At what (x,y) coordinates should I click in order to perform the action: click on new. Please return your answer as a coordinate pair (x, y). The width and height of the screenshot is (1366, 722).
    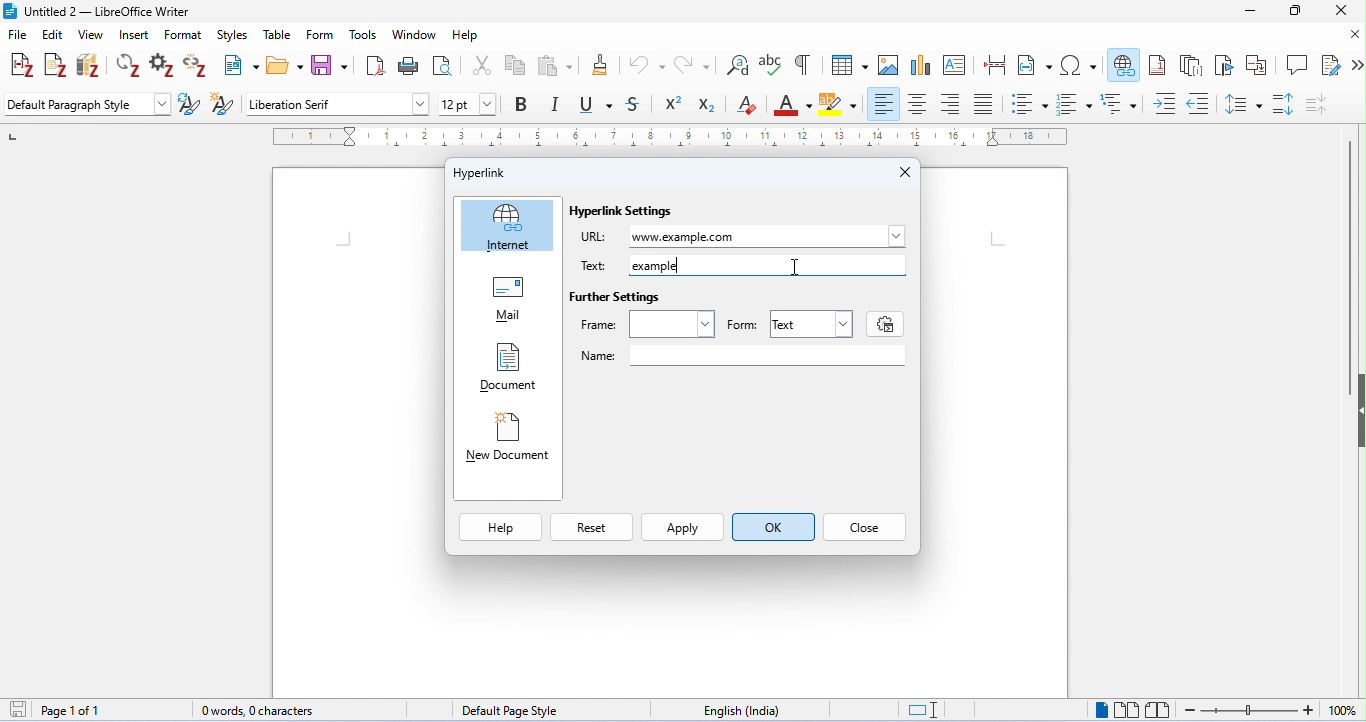
    Looking at the image, I should click on (239, 65).